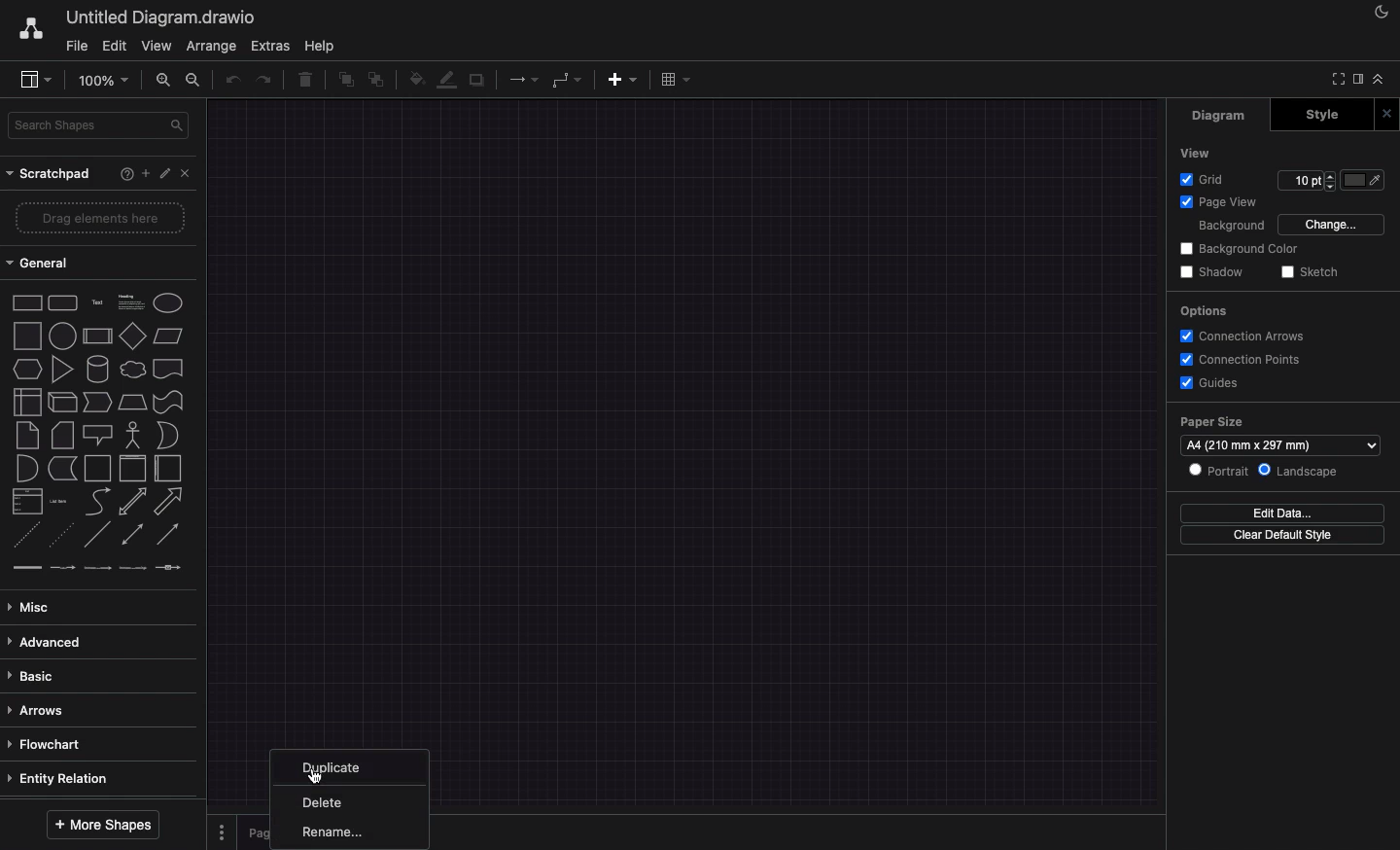 This screenshot has height=850, width=1400. Describe the element at coordinates (1339, 79) in the screenshot. I see `full screen` at that location.